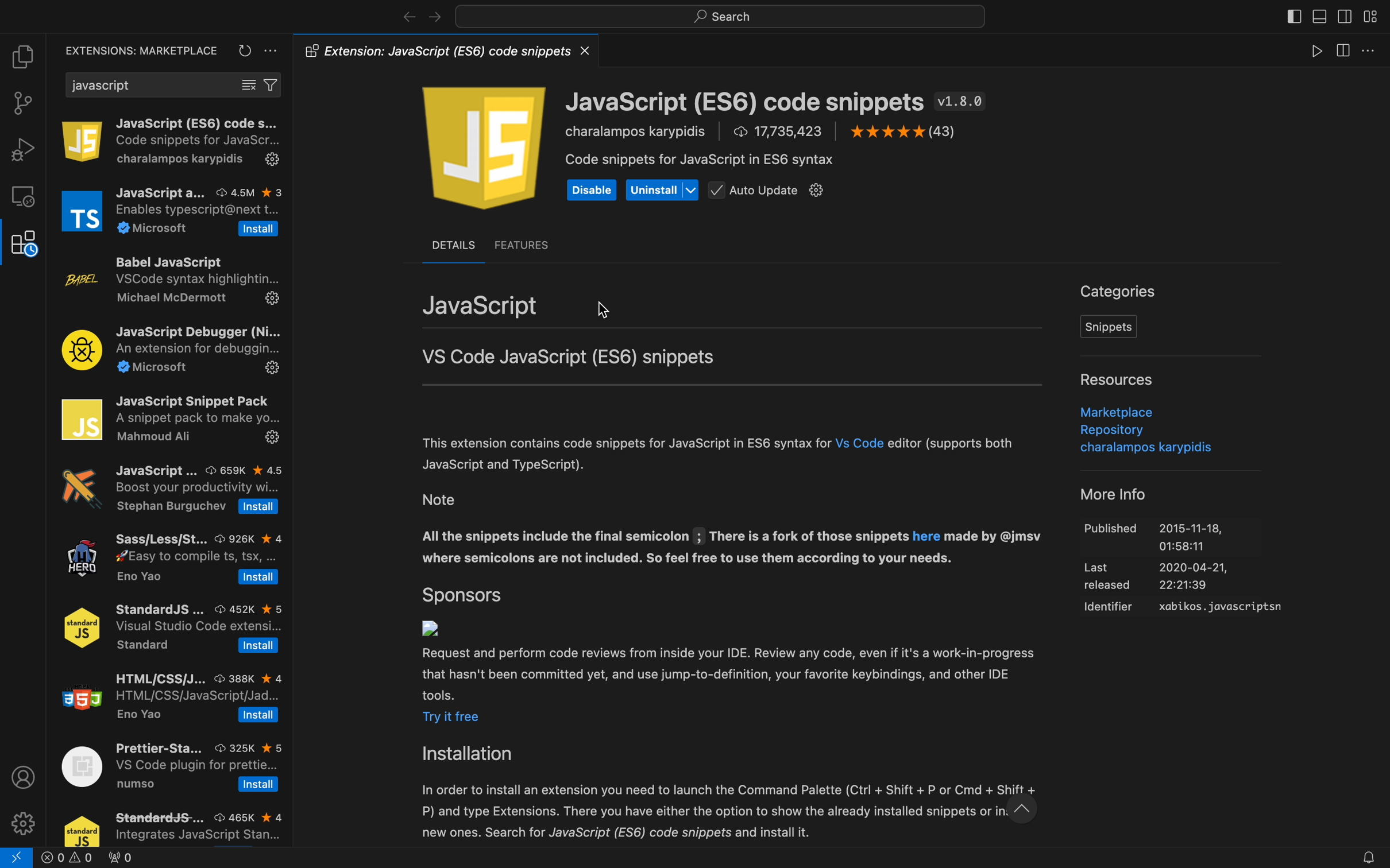 This screenshot has height=868, width=1390. What do you see at coordinates (23, 244) in the screenshot?
I see `extensions` at bounding box center [23, 244].